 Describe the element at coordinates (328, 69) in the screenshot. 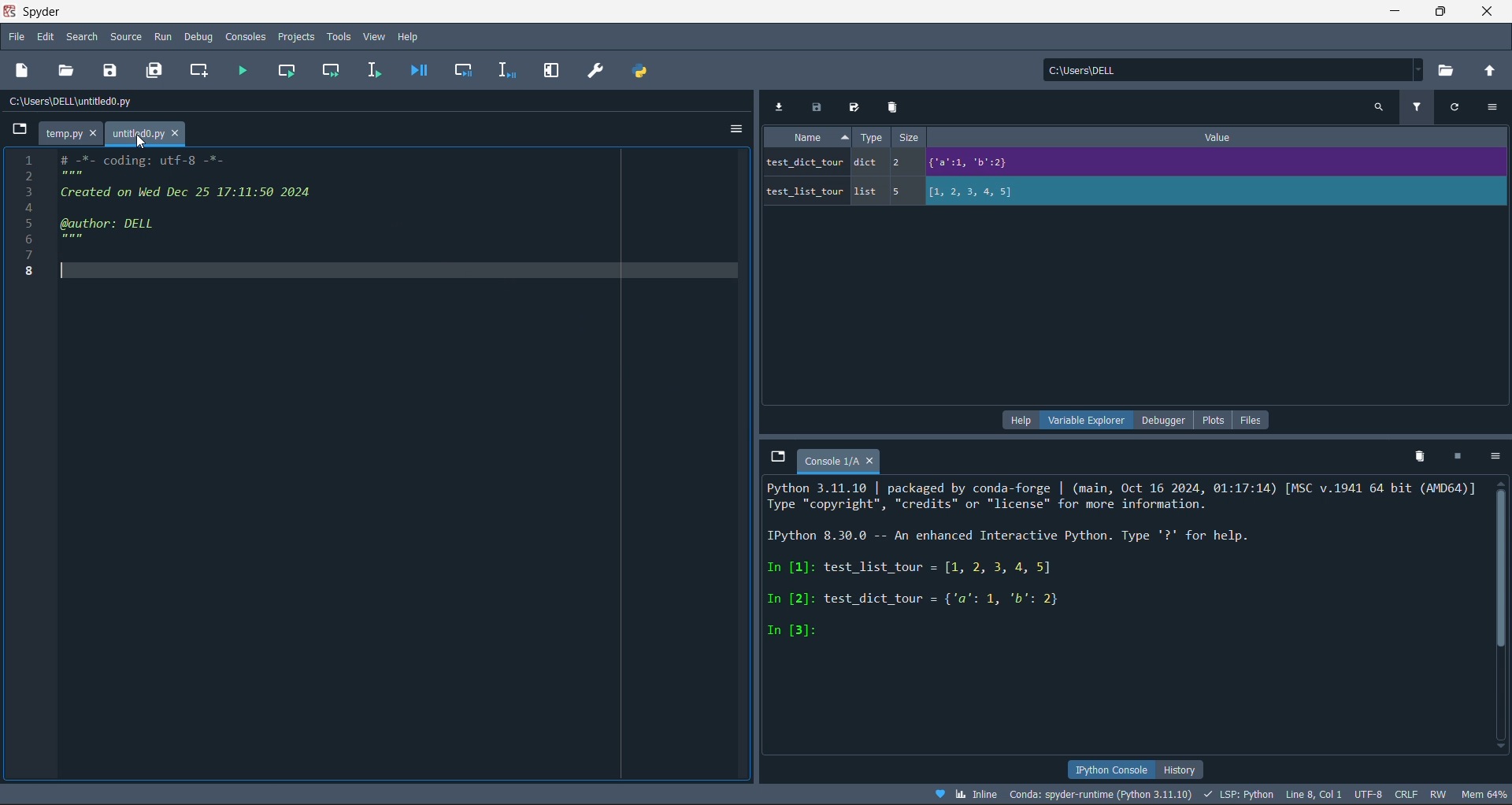

I see `run cell and move` at that location.